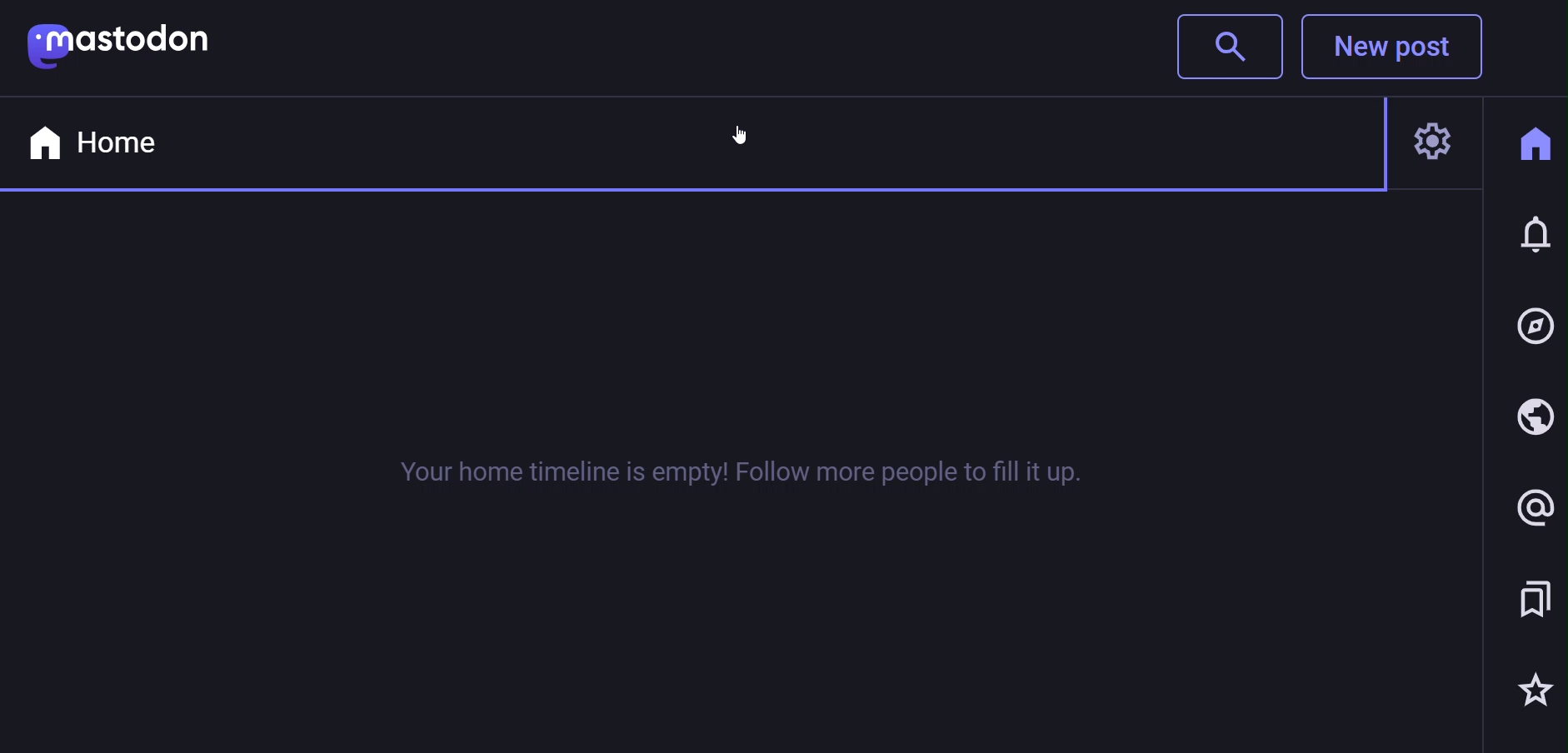 Image resolution: width=1568 pixels, height=753 pixels. Describe the element at coordinates (1531, 690) in the screenshot. I see `favorite` at that location.